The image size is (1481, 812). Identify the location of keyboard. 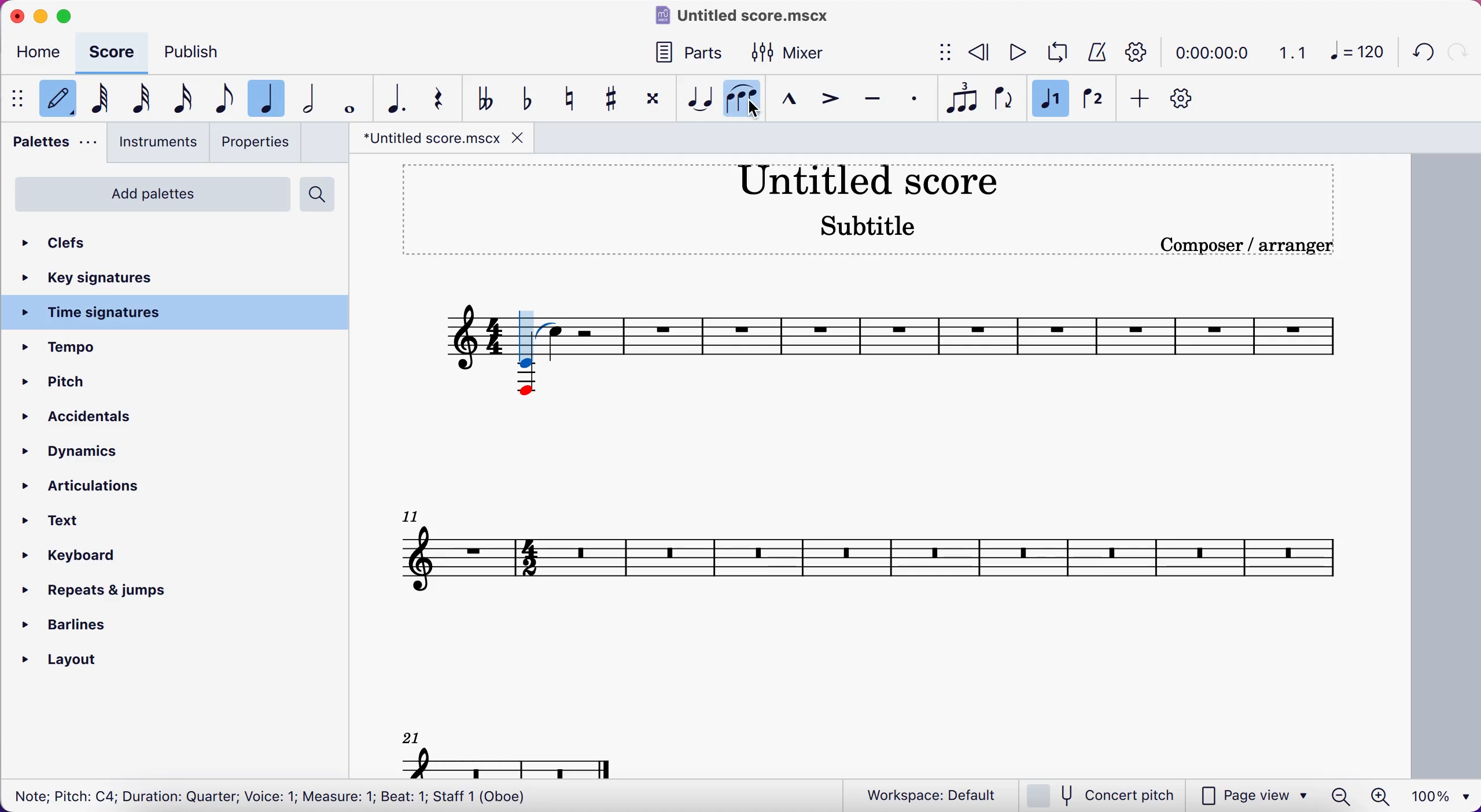
(86, 558).